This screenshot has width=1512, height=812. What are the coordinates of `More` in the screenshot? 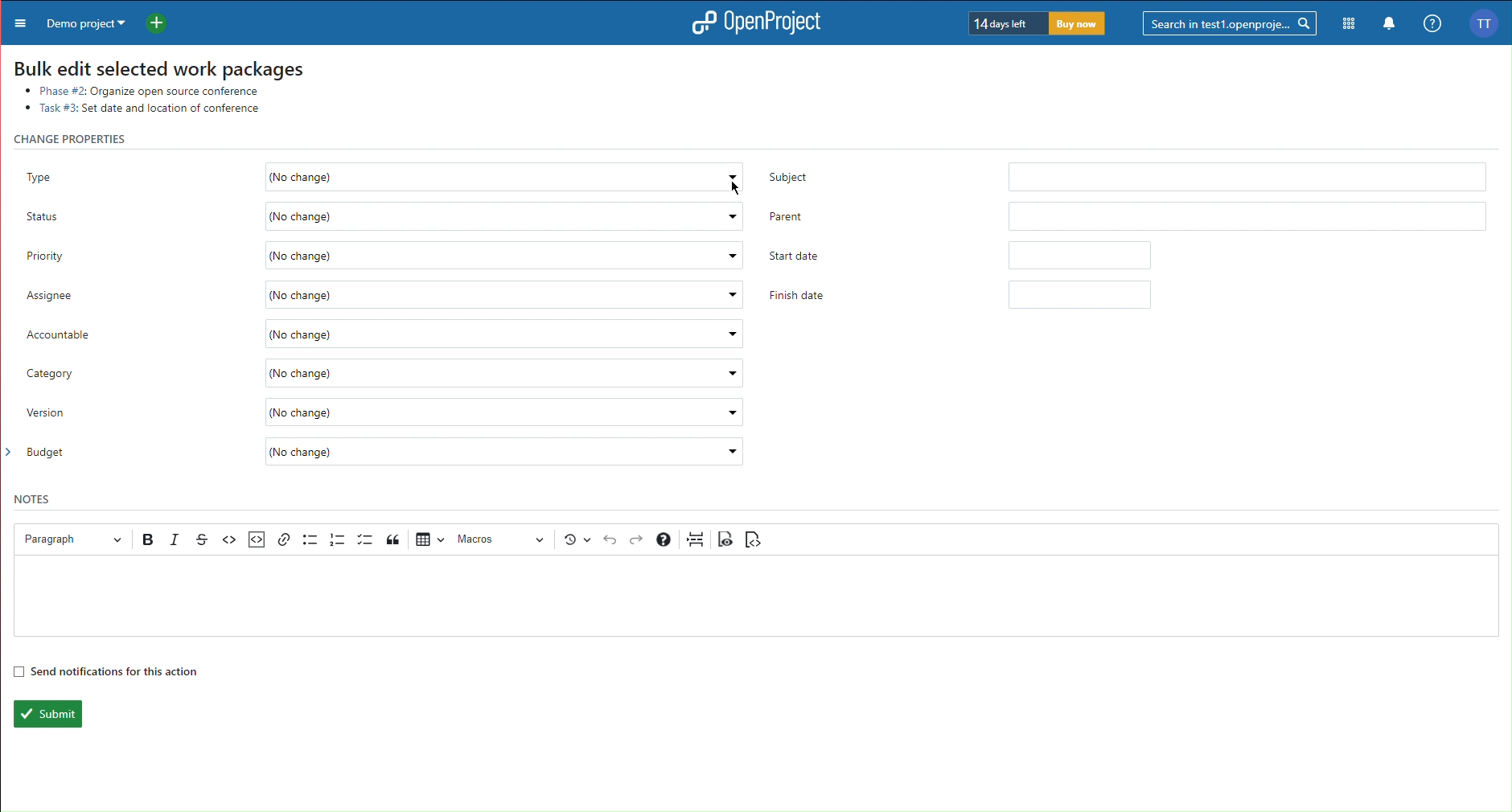 It's located at (17, 22).